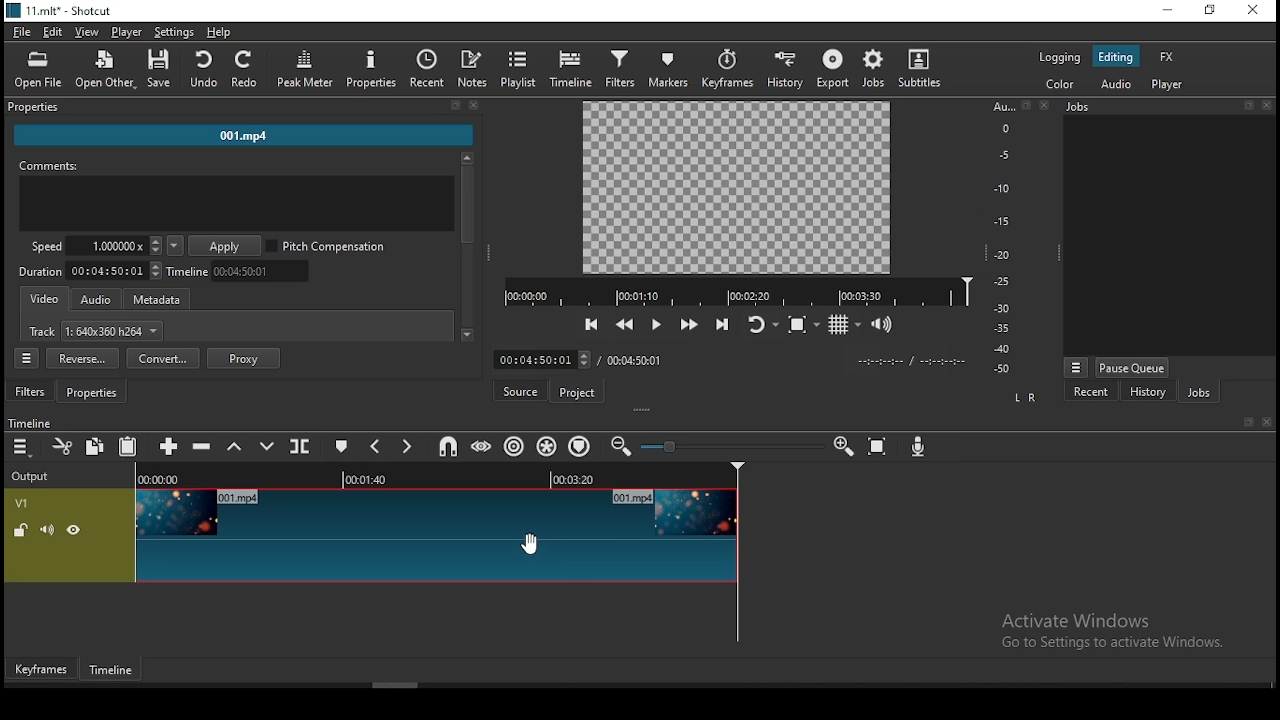 This screenshot has width=1280, height=720. What do you see at coordinates (879, 444) in the screenshot?
I see `zoom timeline to fit` at bounding box center [879, 444].